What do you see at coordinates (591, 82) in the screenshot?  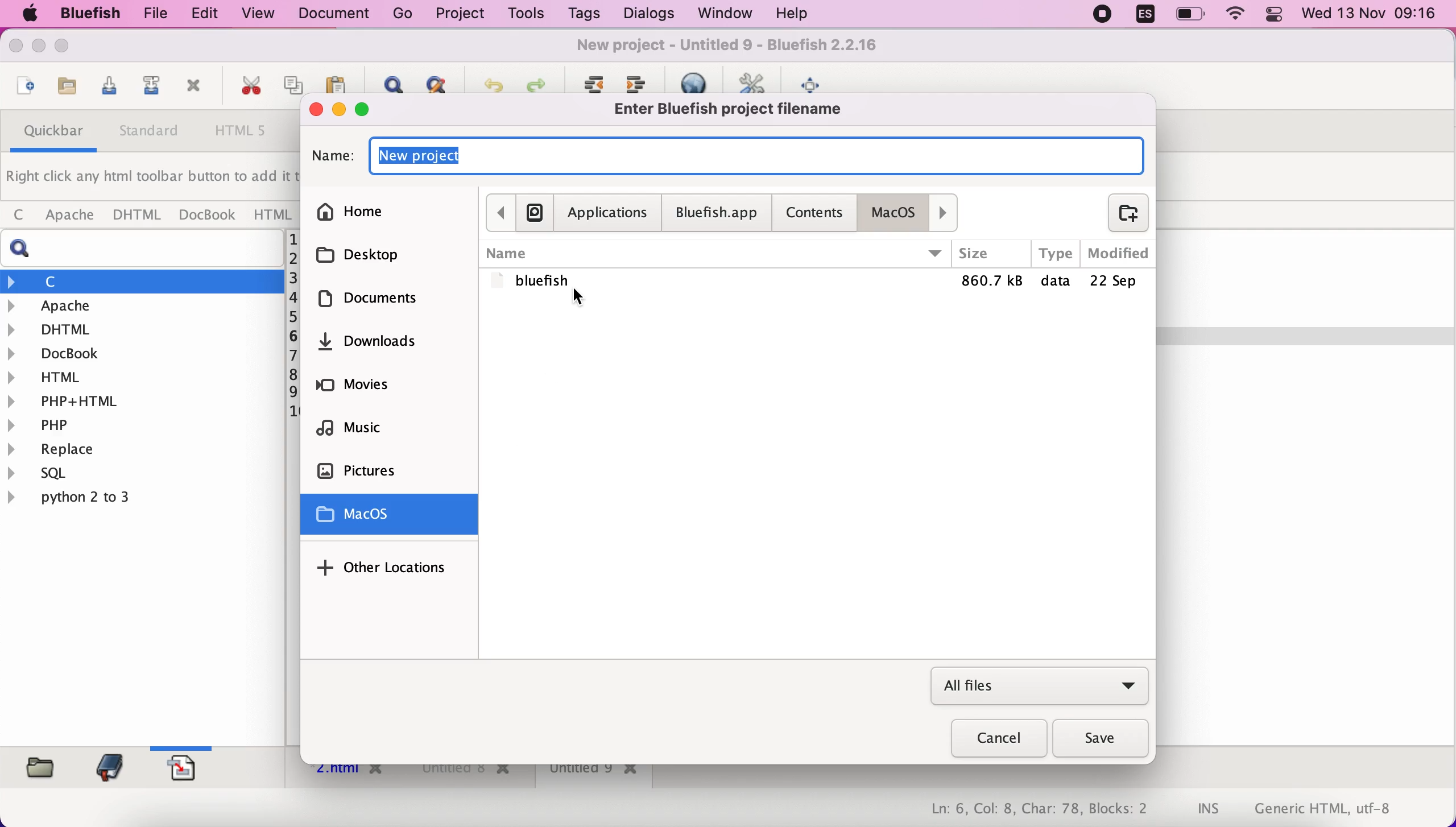 I see `indent` at bounding box center [591, 82].